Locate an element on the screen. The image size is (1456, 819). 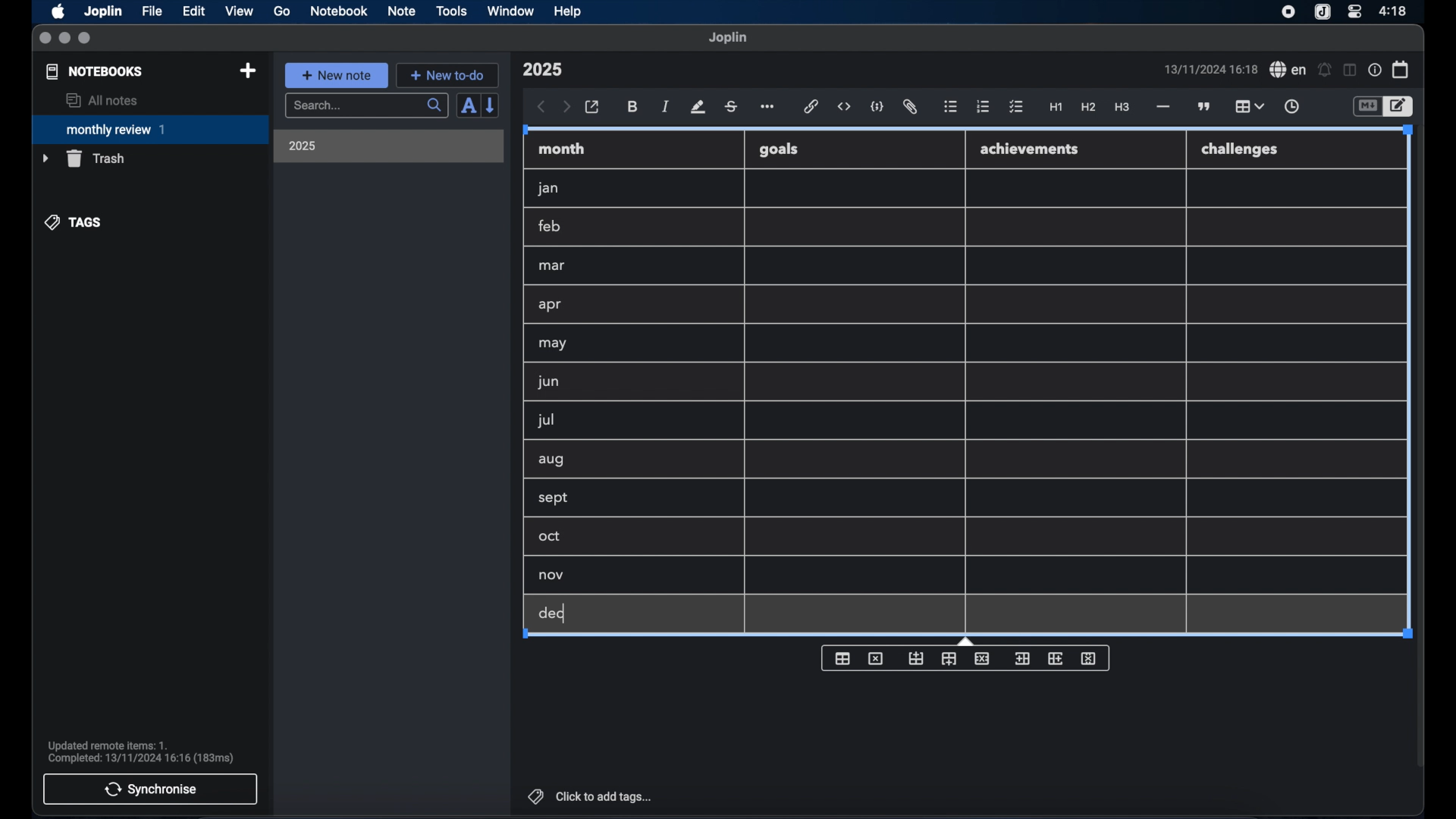
trash is located at coordinates (83, 158).